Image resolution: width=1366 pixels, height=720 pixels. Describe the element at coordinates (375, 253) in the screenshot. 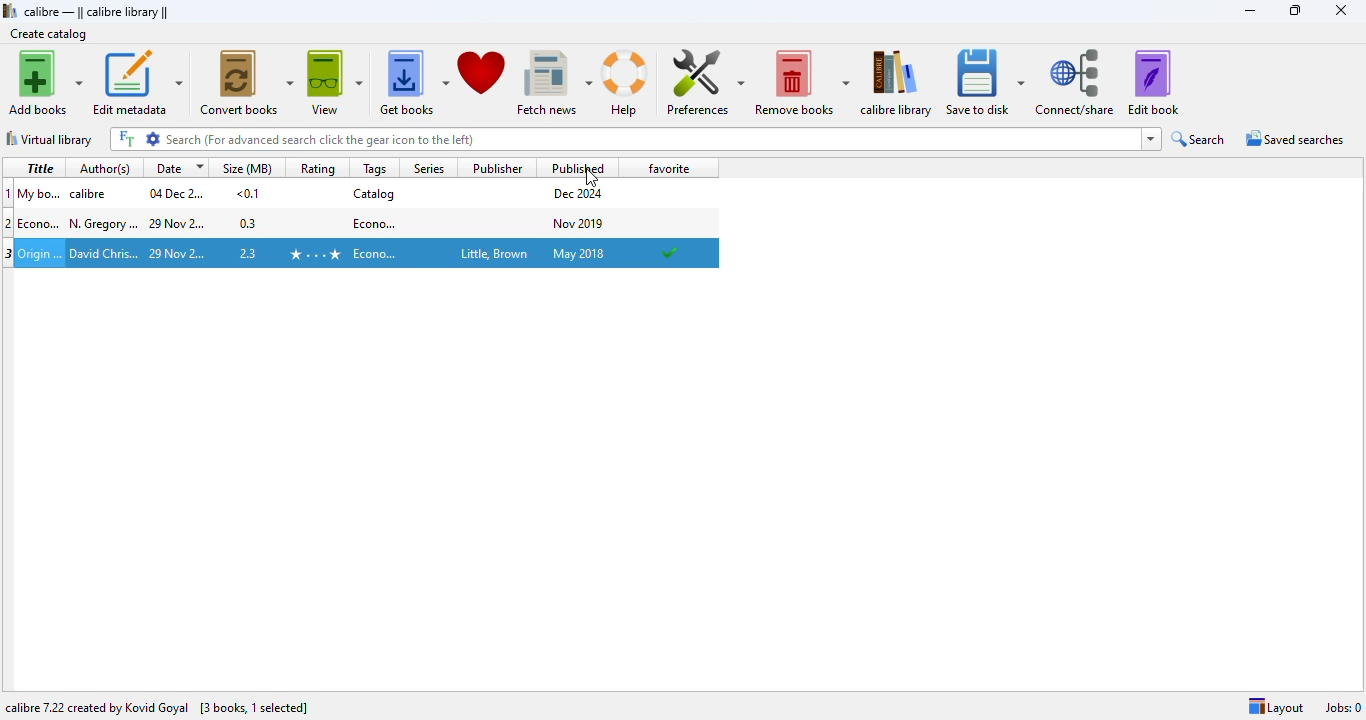

I see `tag` at that location.